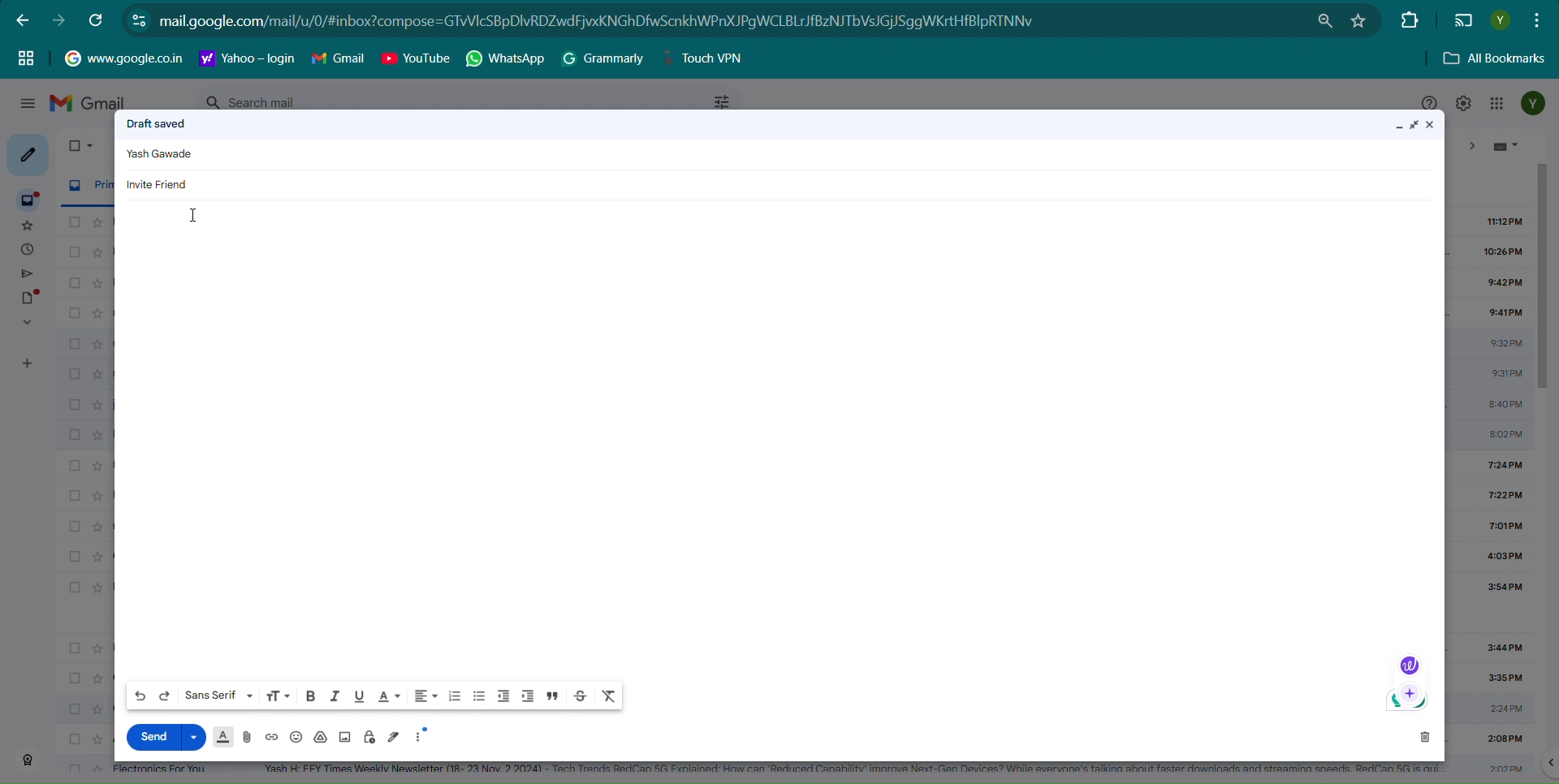  I want to click on view site information, so click(139, 19).